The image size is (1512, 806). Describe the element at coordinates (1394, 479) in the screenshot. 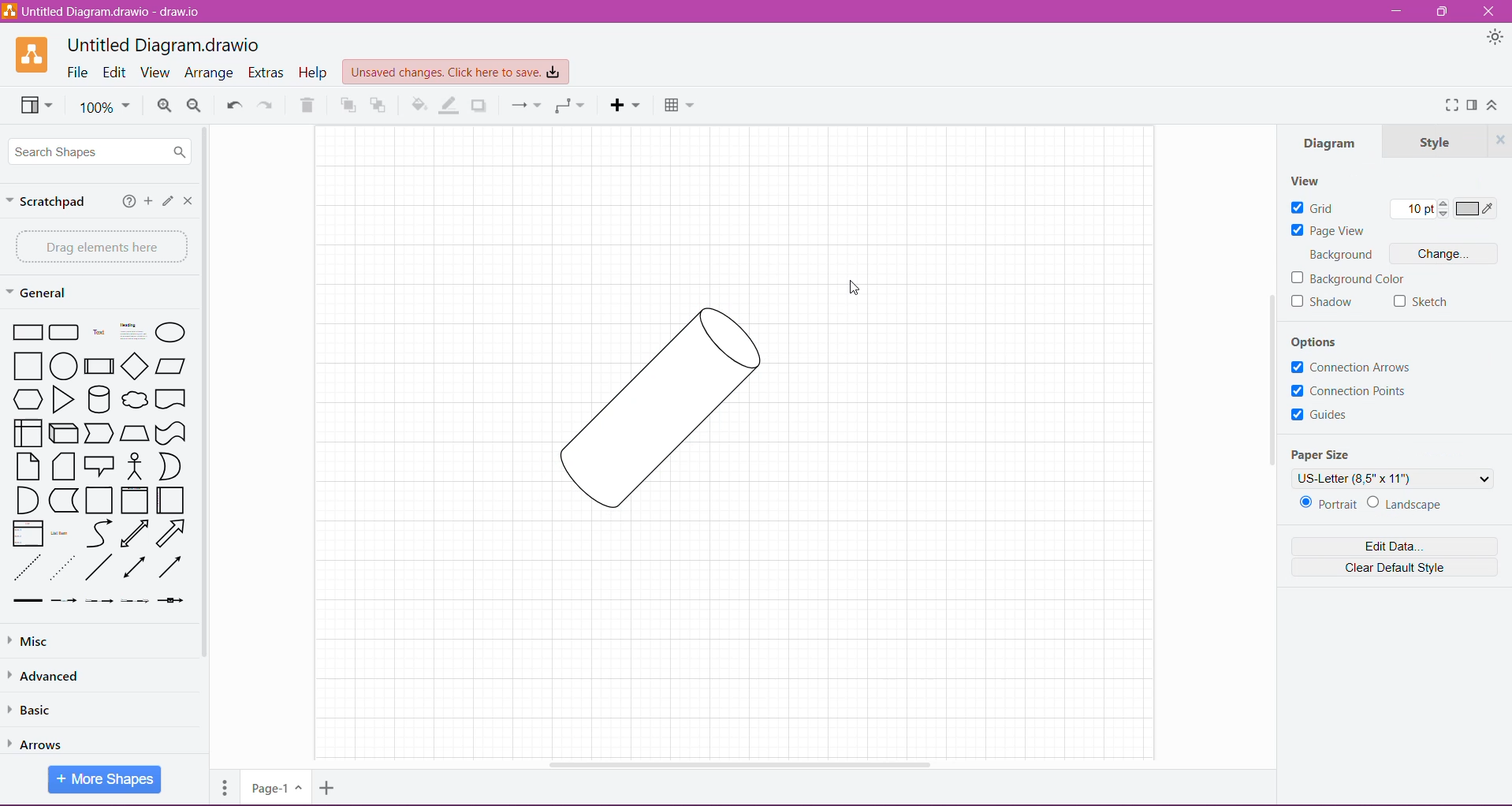

I see `US Letter (8.5" x 11")` at that location.